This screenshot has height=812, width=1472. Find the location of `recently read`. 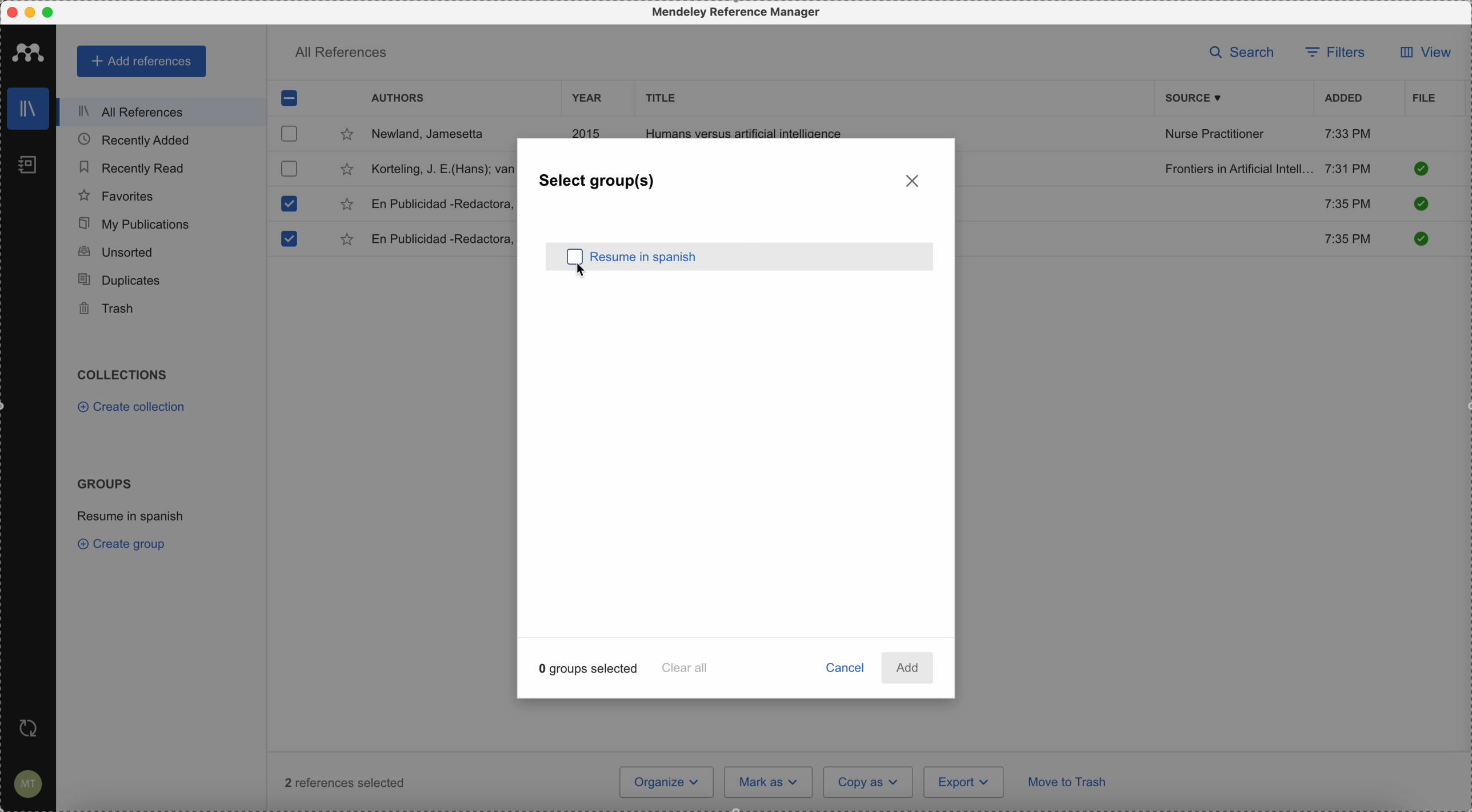

recently read is located at coordinates (131, 166).